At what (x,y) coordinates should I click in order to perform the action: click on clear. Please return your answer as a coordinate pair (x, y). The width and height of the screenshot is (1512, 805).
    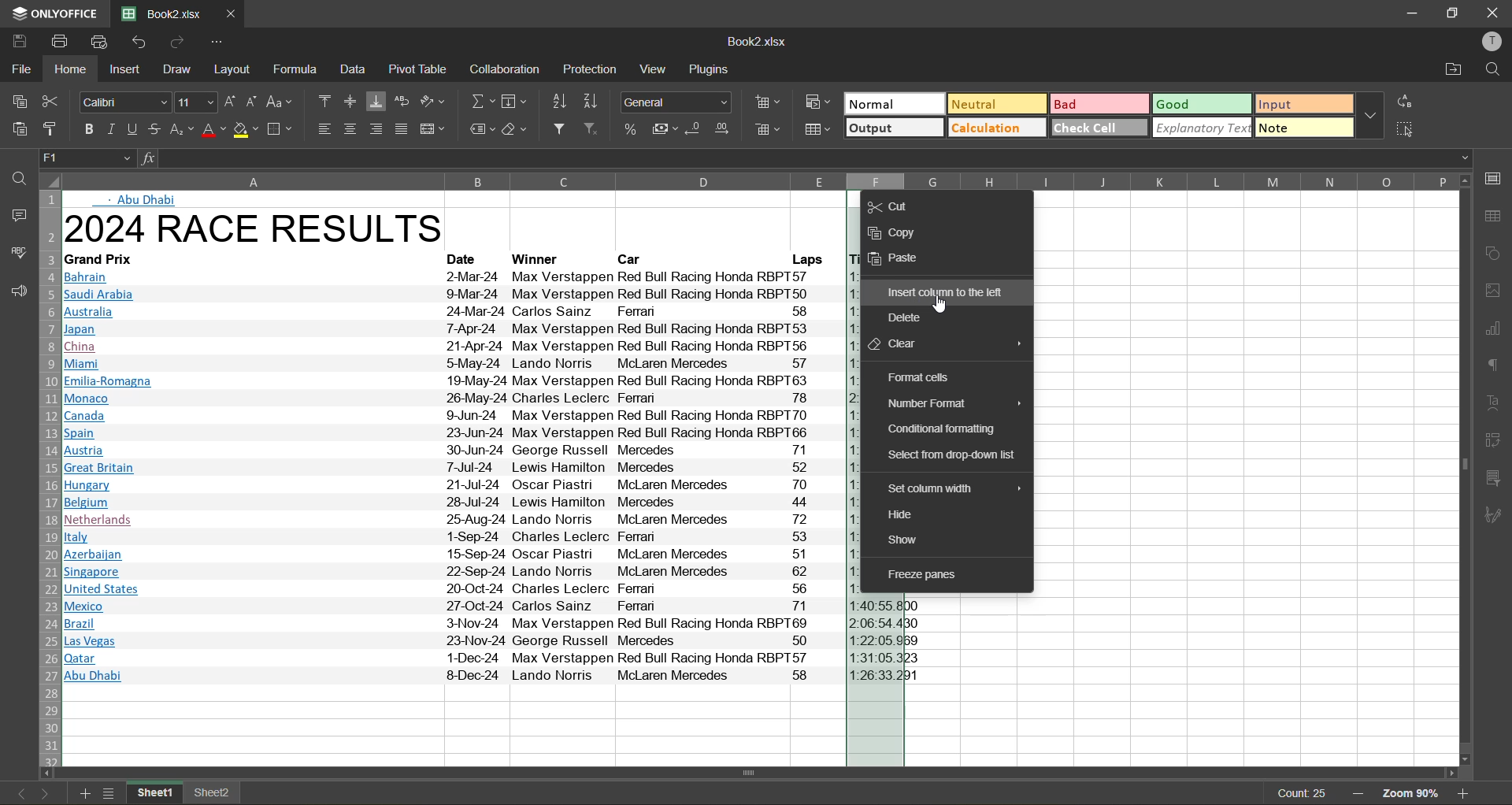
    Looking at the image, I should click on (517, 128).